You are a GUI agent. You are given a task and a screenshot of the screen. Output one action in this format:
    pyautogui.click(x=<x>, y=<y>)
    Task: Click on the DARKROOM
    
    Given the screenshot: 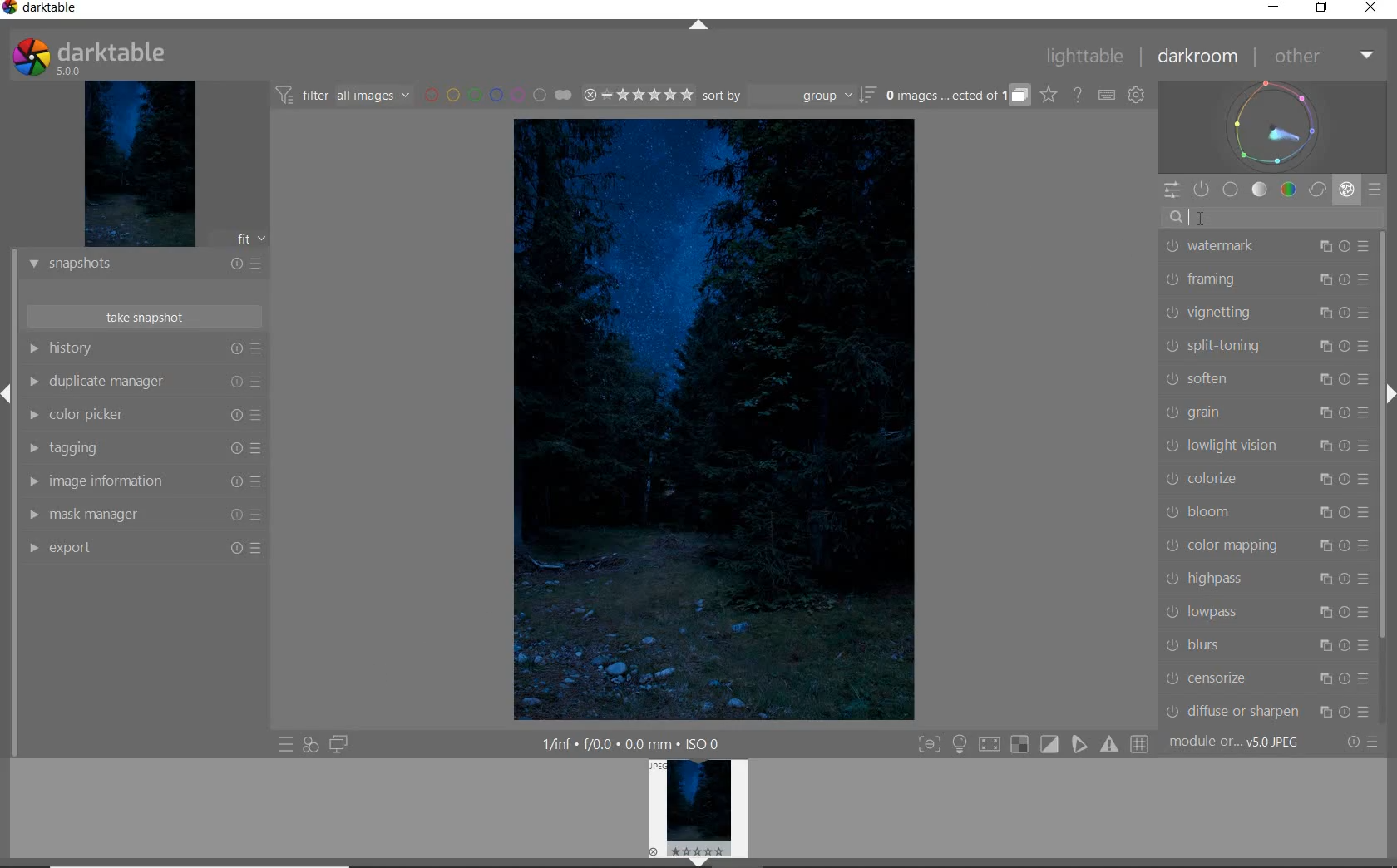 What is the action you would take?
    pyautogui.click(x=1197, y=57)
    